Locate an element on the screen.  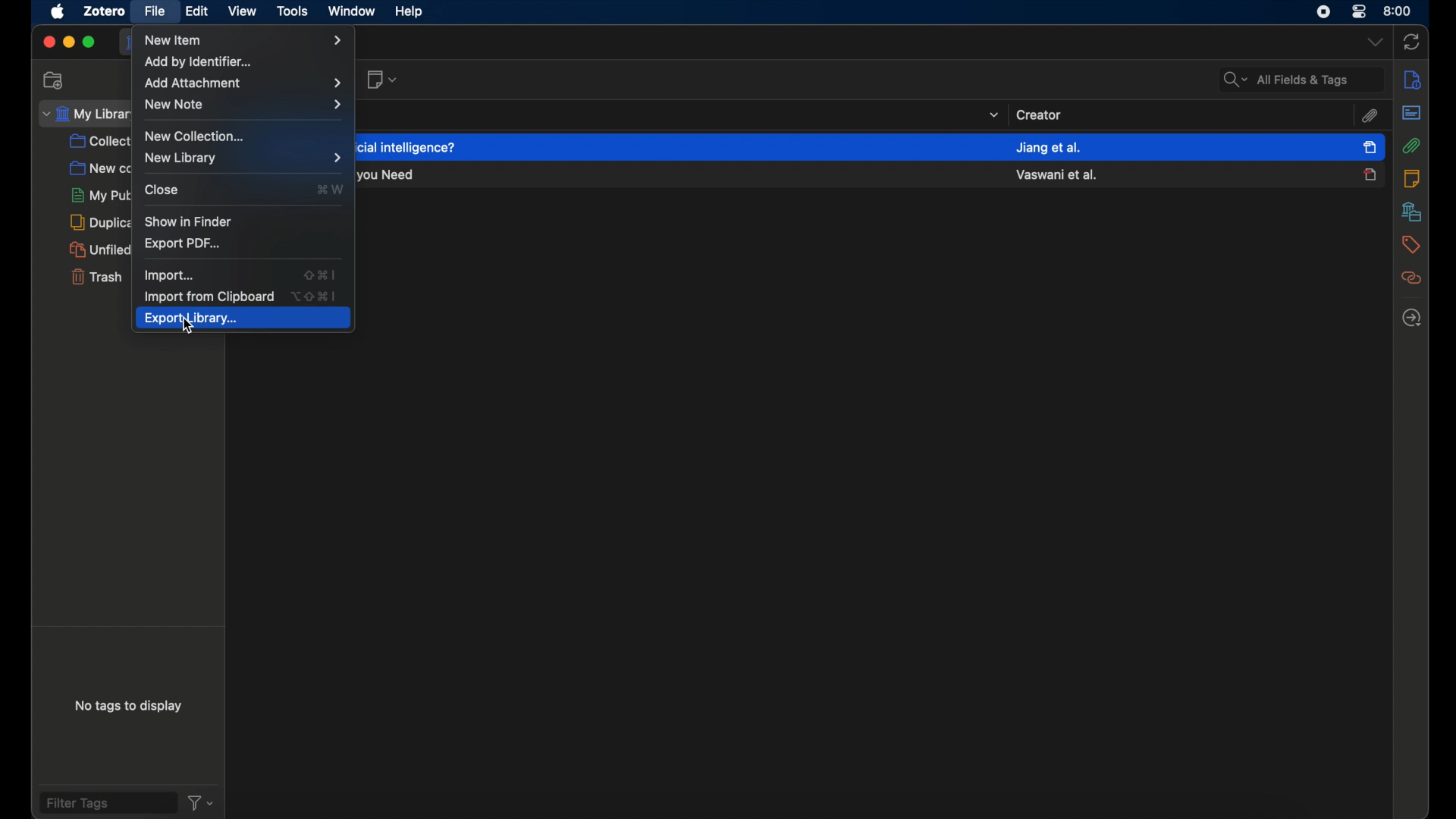
apple icon is located at coordinates (56, 12).